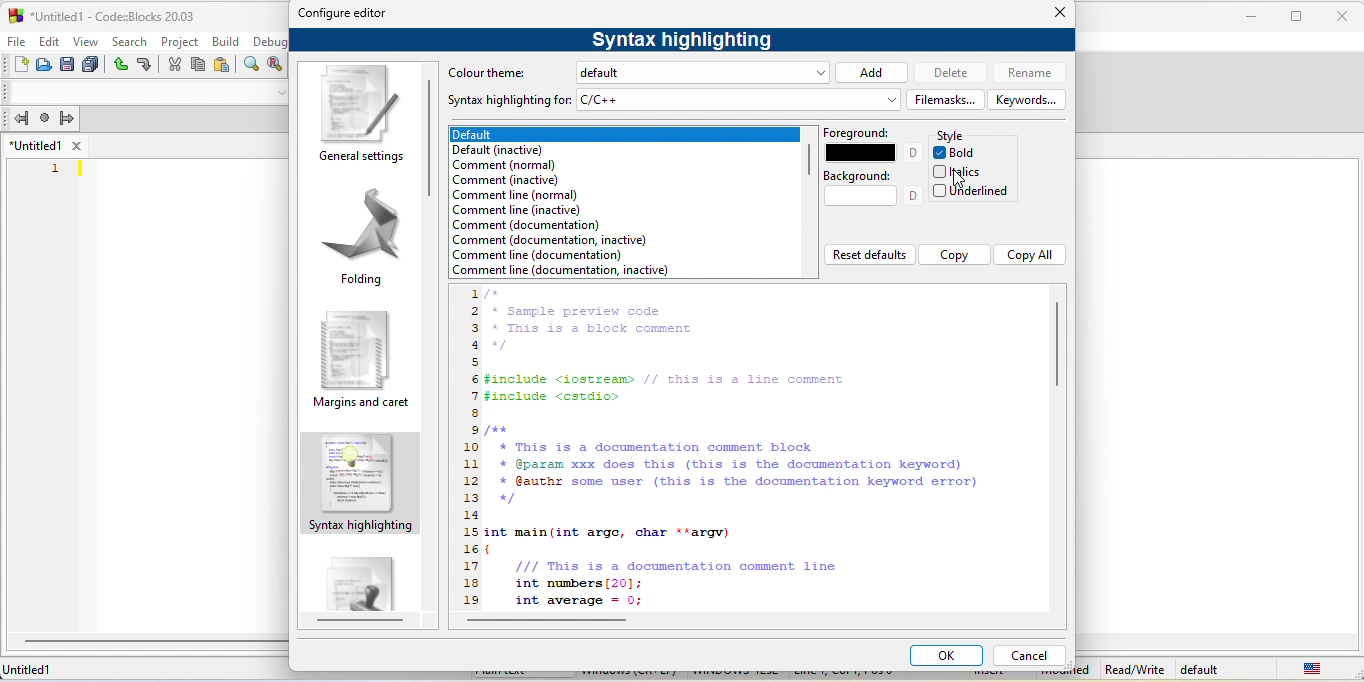 This screenshot has width=1364, height=682. Describe the element at coordinates (705, 72) in the screenshot. I see `default` at that location.